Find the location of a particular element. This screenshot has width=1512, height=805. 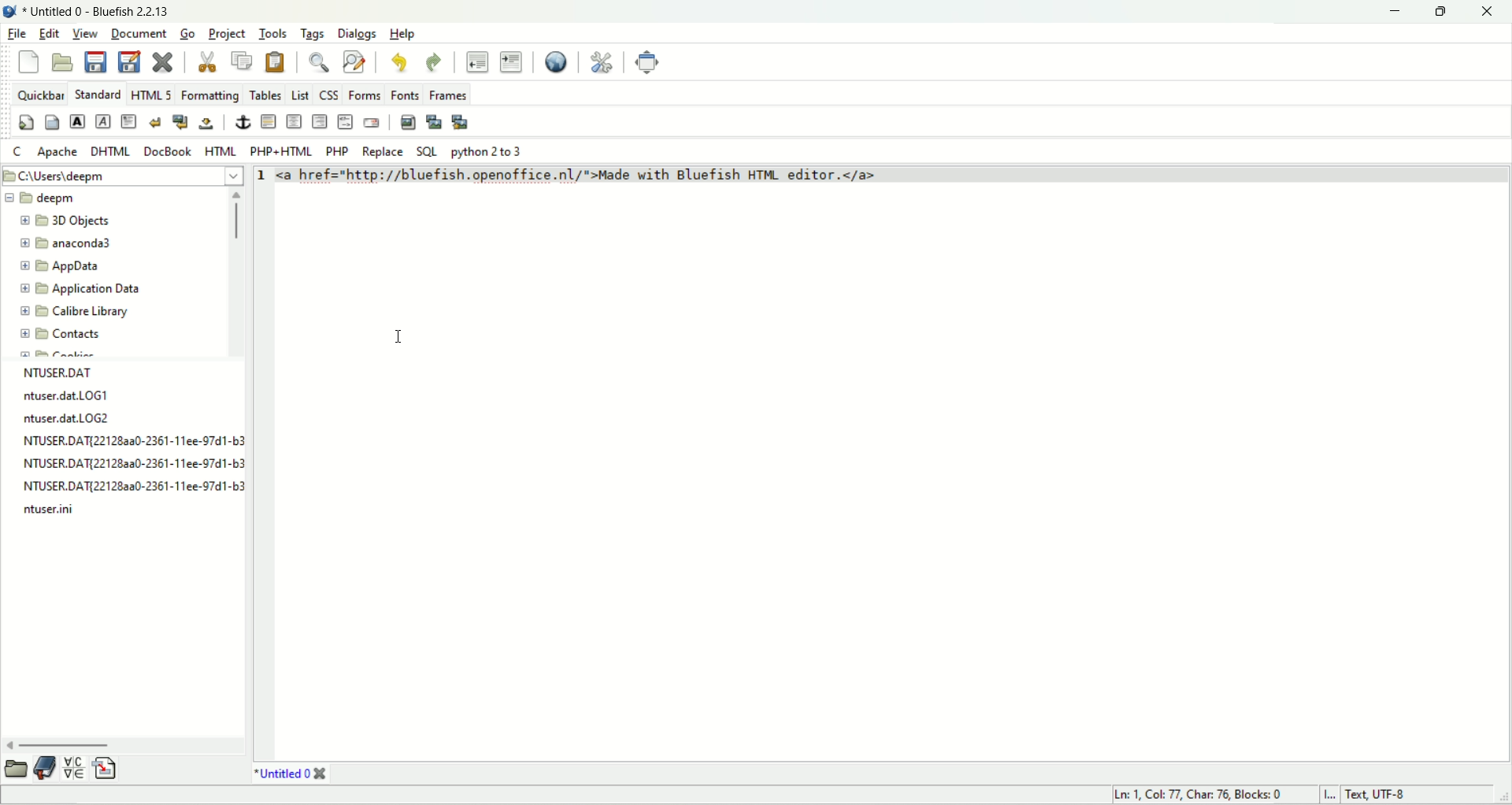

location is located at coordinates (124, 175).